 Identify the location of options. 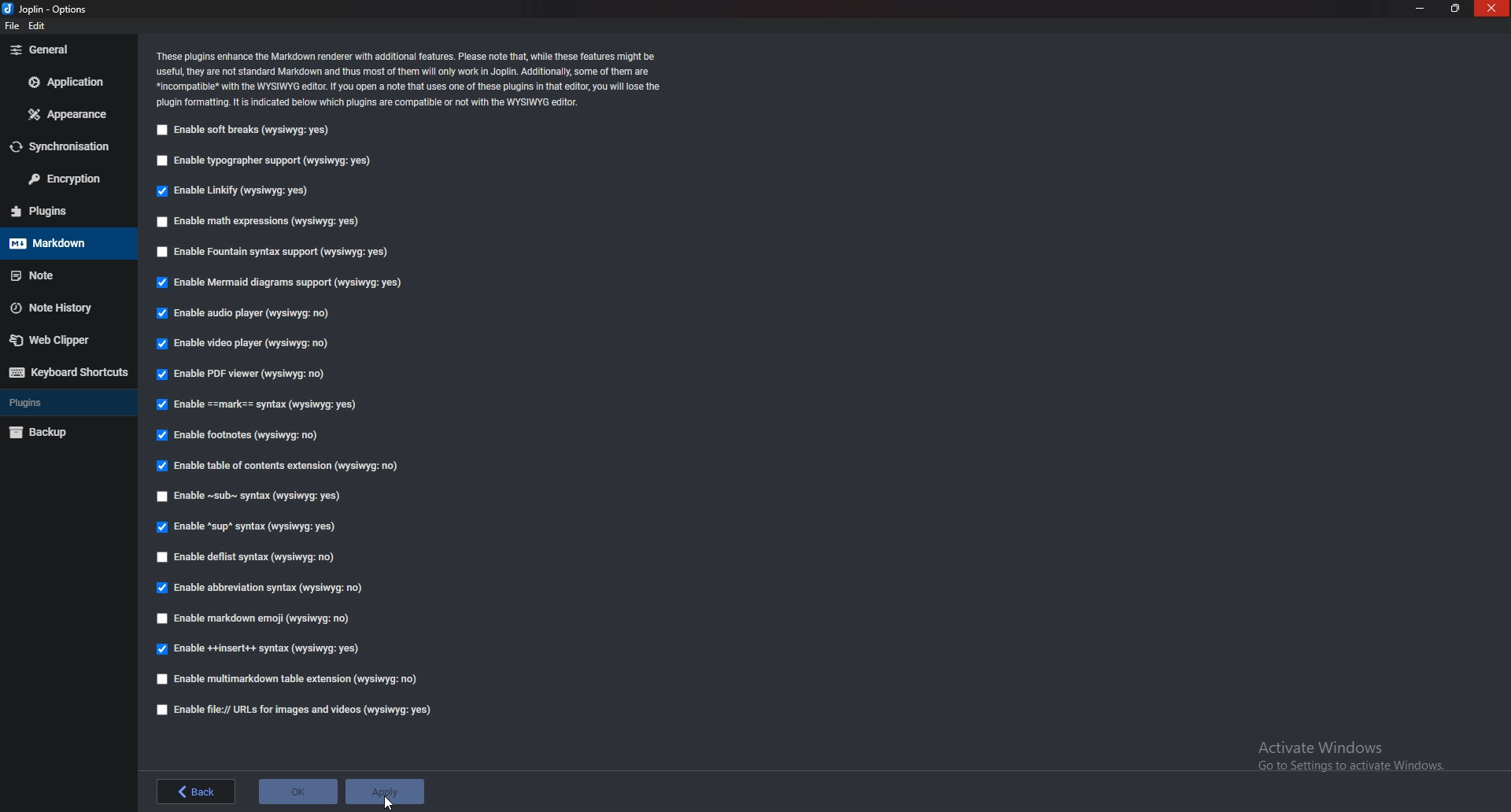
(49, 8).